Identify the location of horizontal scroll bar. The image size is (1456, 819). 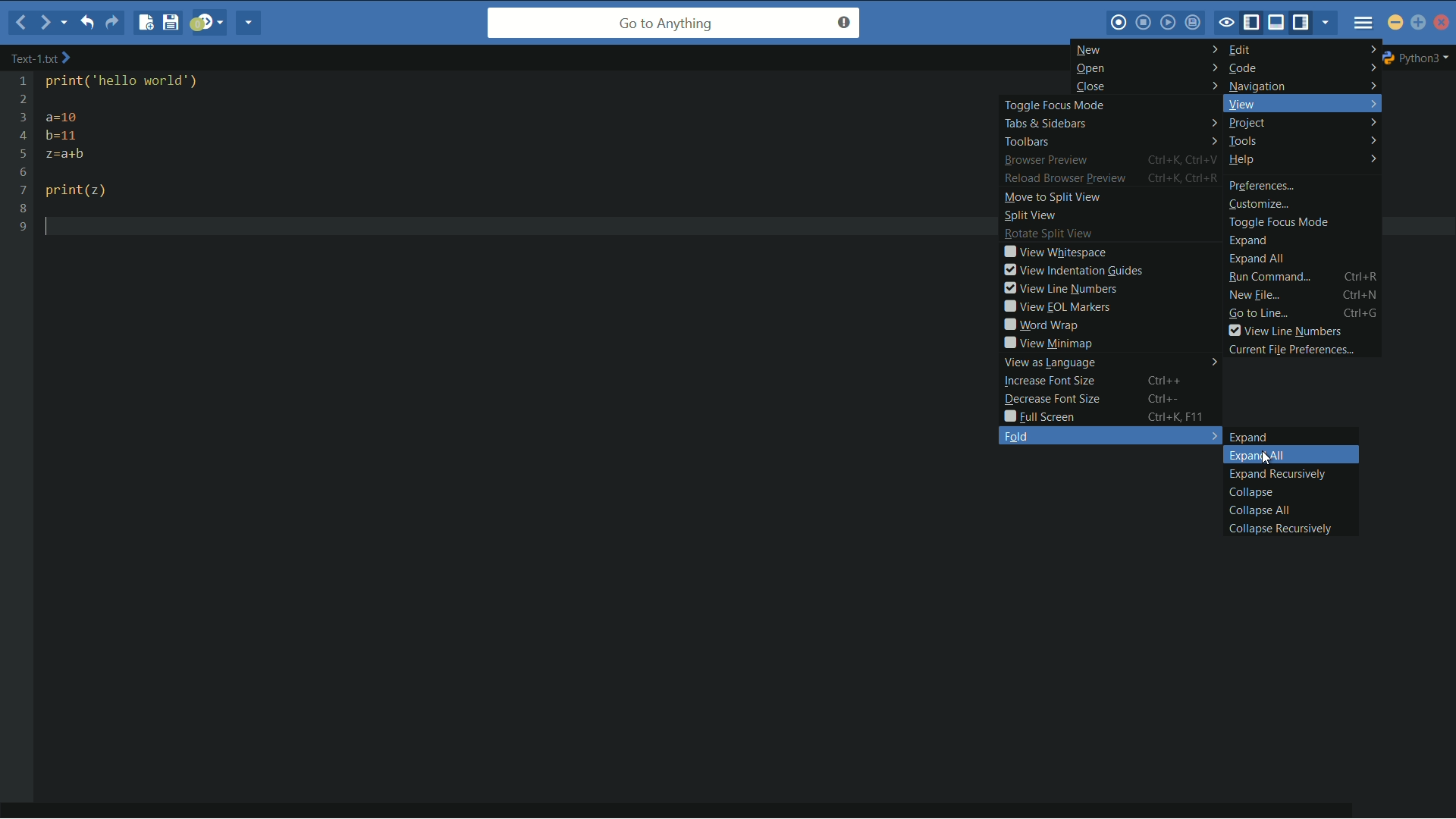
(687, 803).